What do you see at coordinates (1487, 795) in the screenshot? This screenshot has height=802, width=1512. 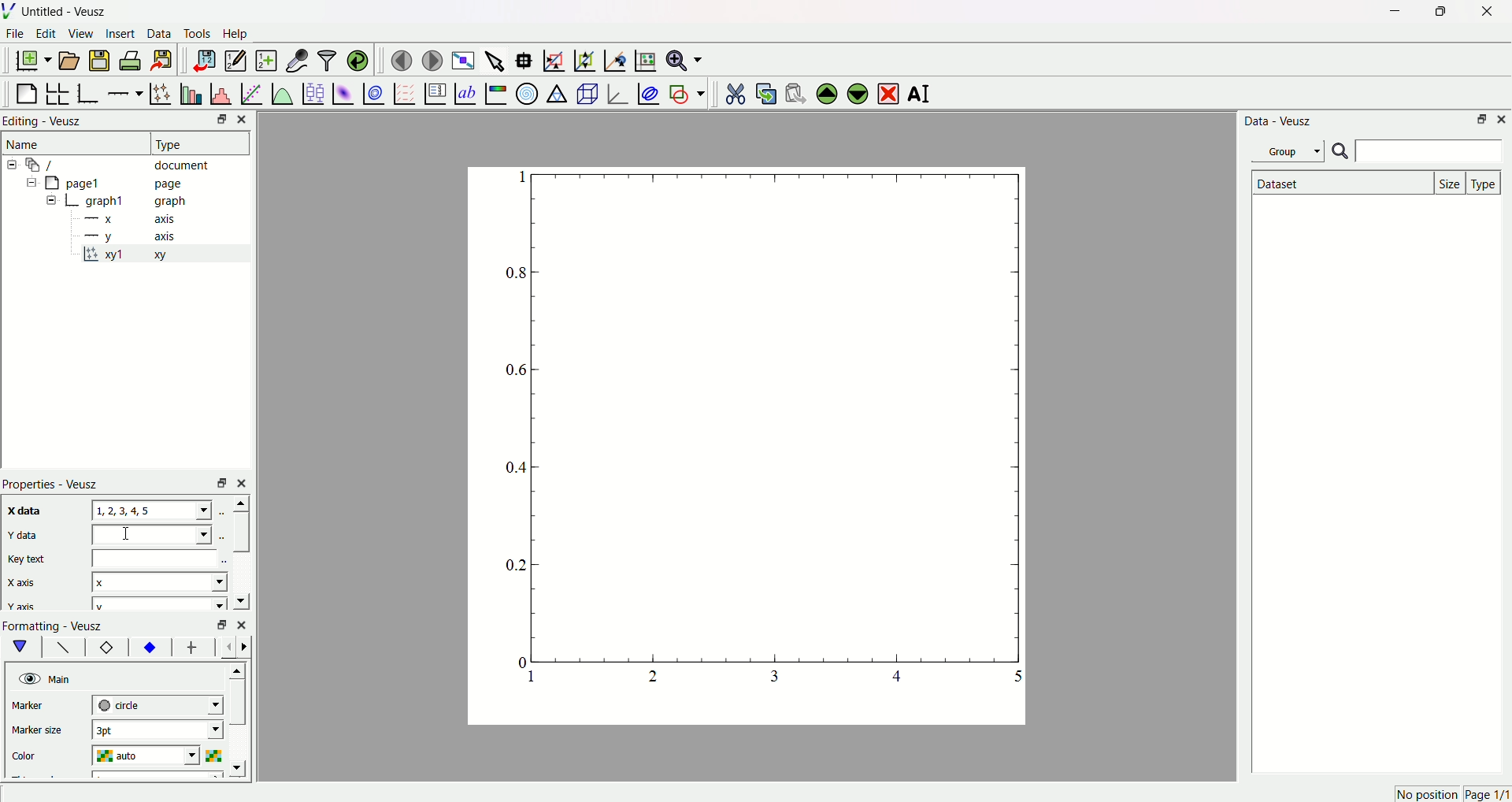 I see `page 1/1` at bounding box center [1487, 795].